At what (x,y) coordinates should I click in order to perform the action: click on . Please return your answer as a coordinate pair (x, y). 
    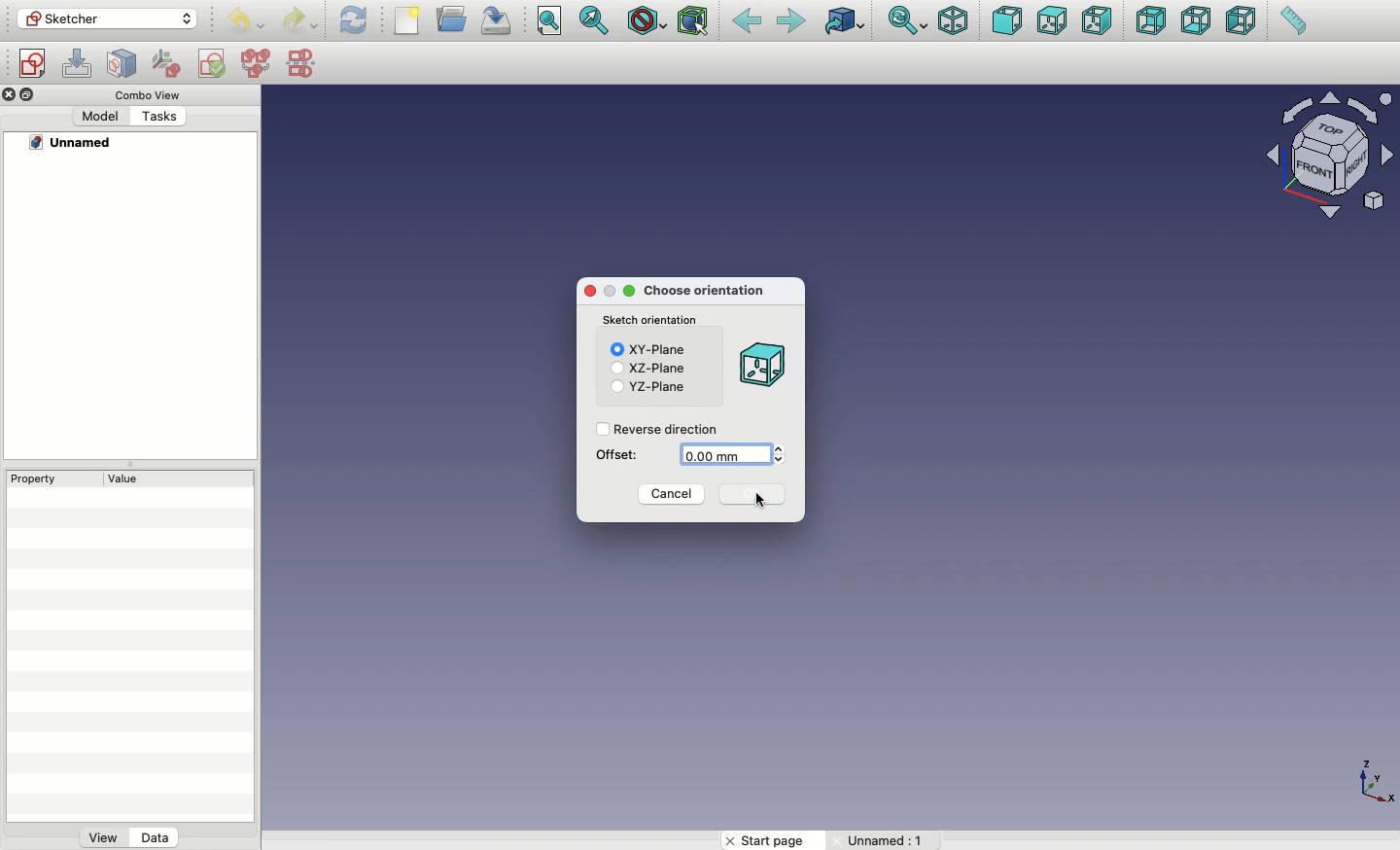
    Looking at the image, I should click on (74, 143).